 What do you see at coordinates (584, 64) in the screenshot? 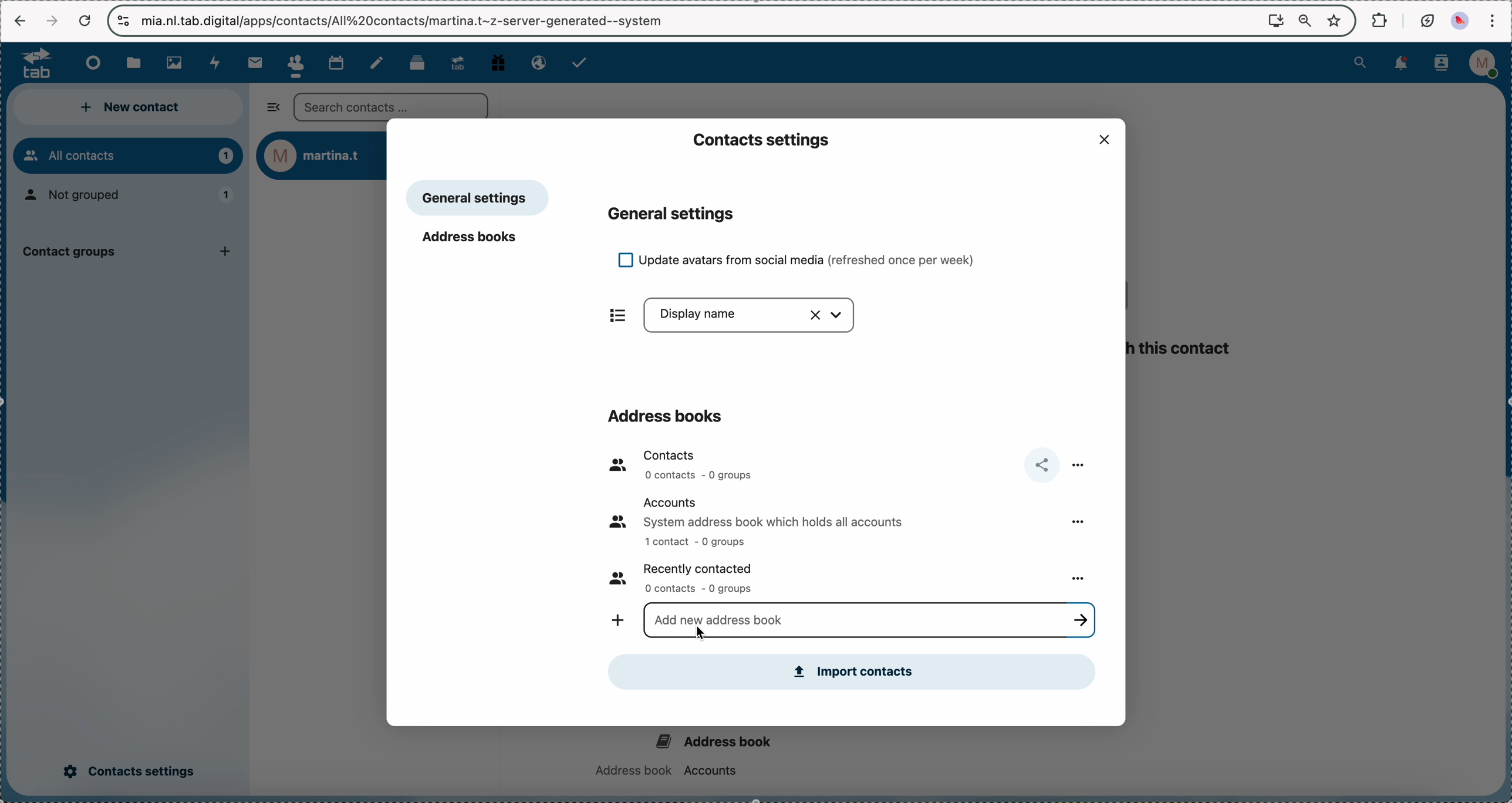
I see `tasks` at bounding box center [584, 64].